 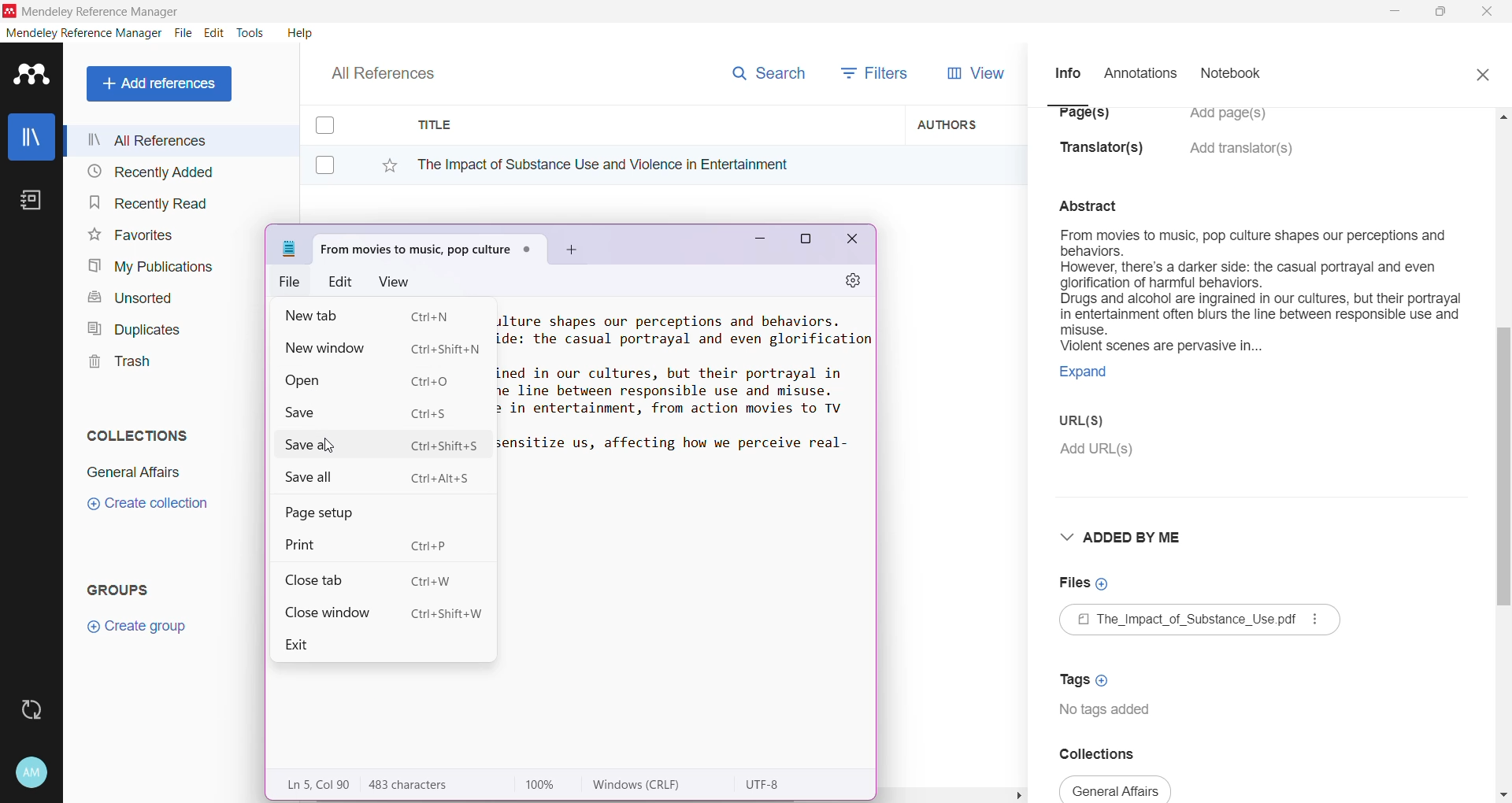 I want to click on Click to Add Pages, so click(x=1236, y=121).